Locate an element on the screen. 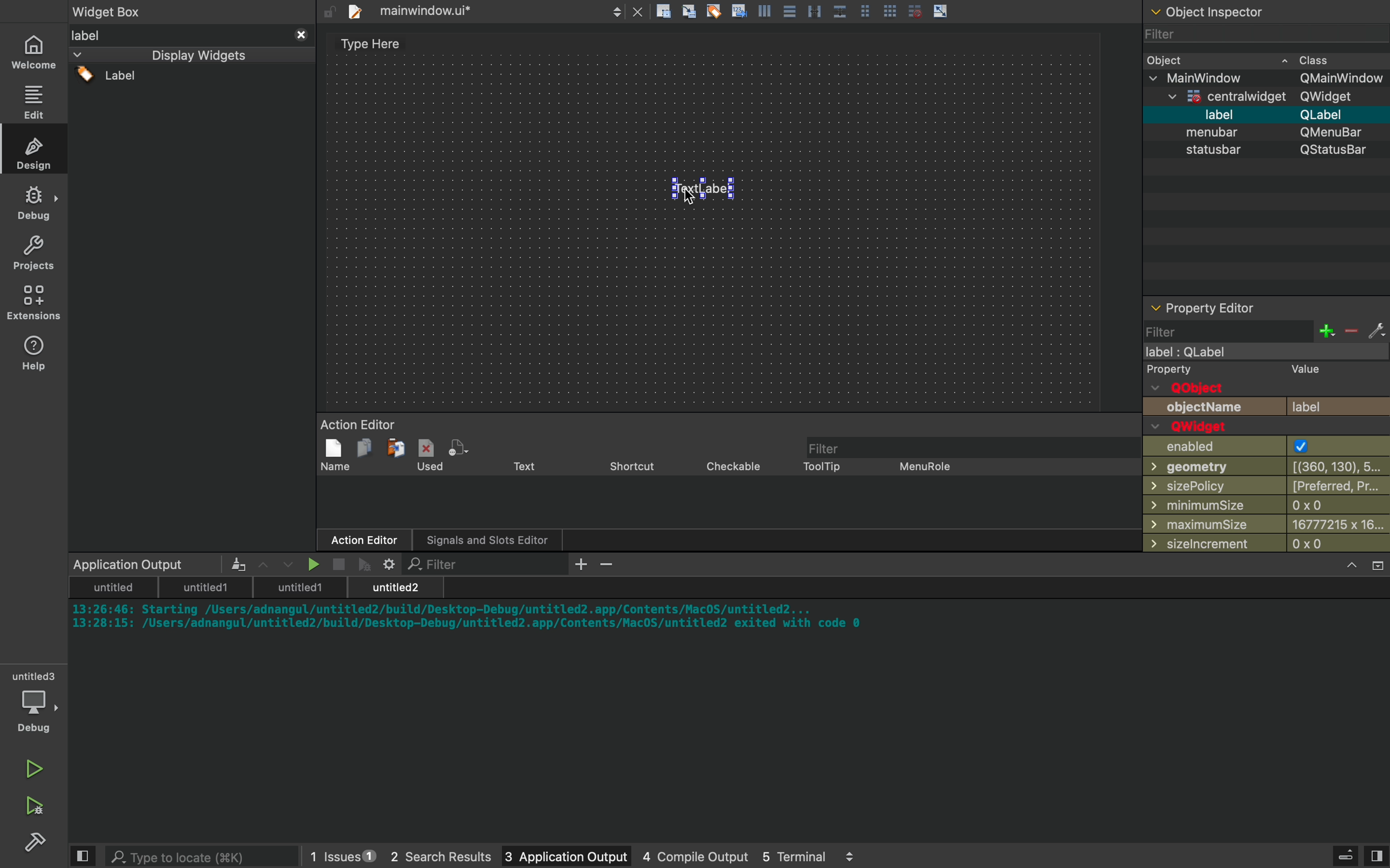 This screenshot has height=868, width=1390.  is located at coordinates (34, 203).